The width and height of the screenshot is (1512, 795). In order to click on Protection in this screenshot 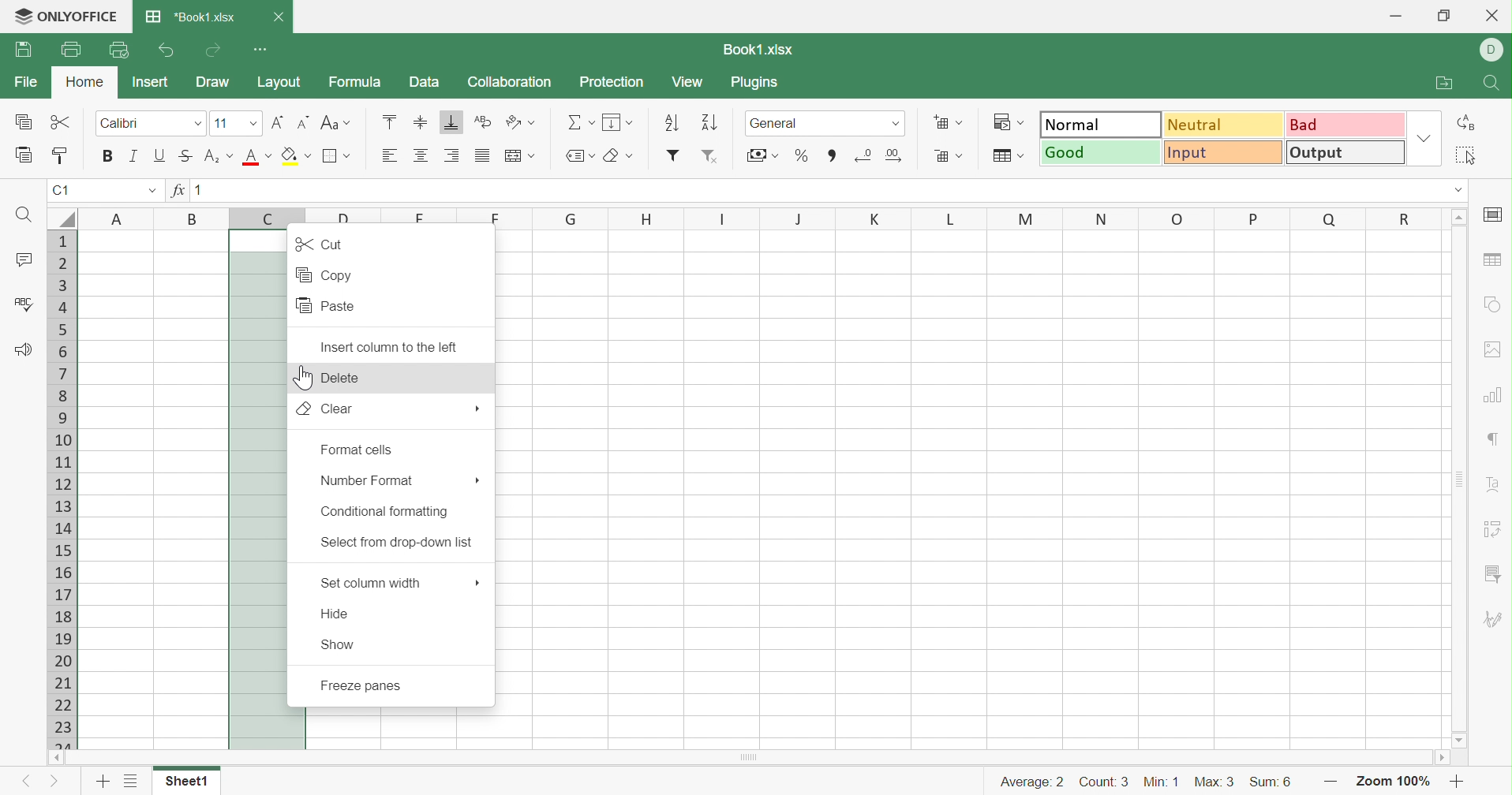, I will do `click(613, 82)`.